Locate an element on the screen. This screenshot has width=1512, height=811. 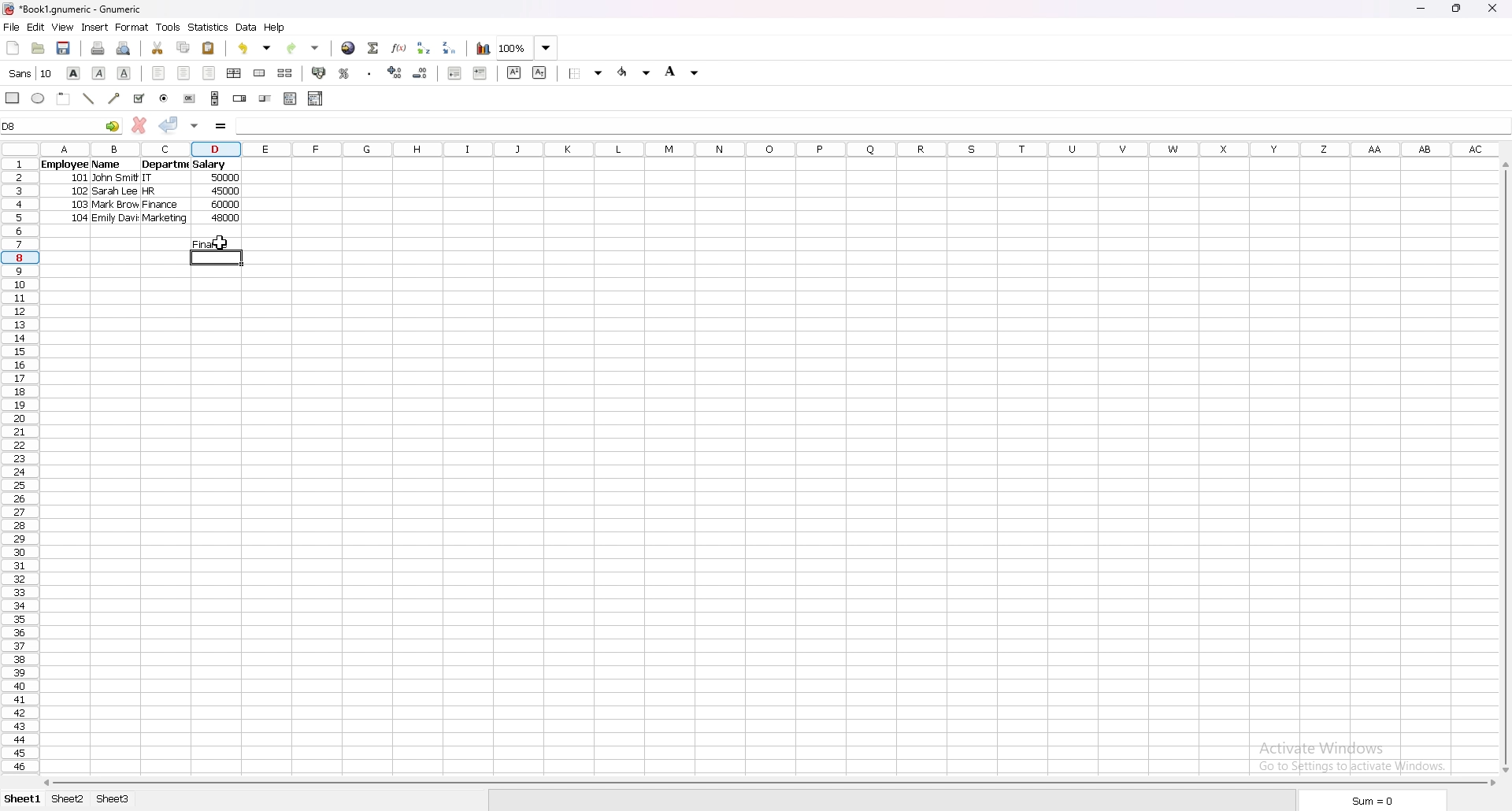
line is located at coordinates (89, 98).